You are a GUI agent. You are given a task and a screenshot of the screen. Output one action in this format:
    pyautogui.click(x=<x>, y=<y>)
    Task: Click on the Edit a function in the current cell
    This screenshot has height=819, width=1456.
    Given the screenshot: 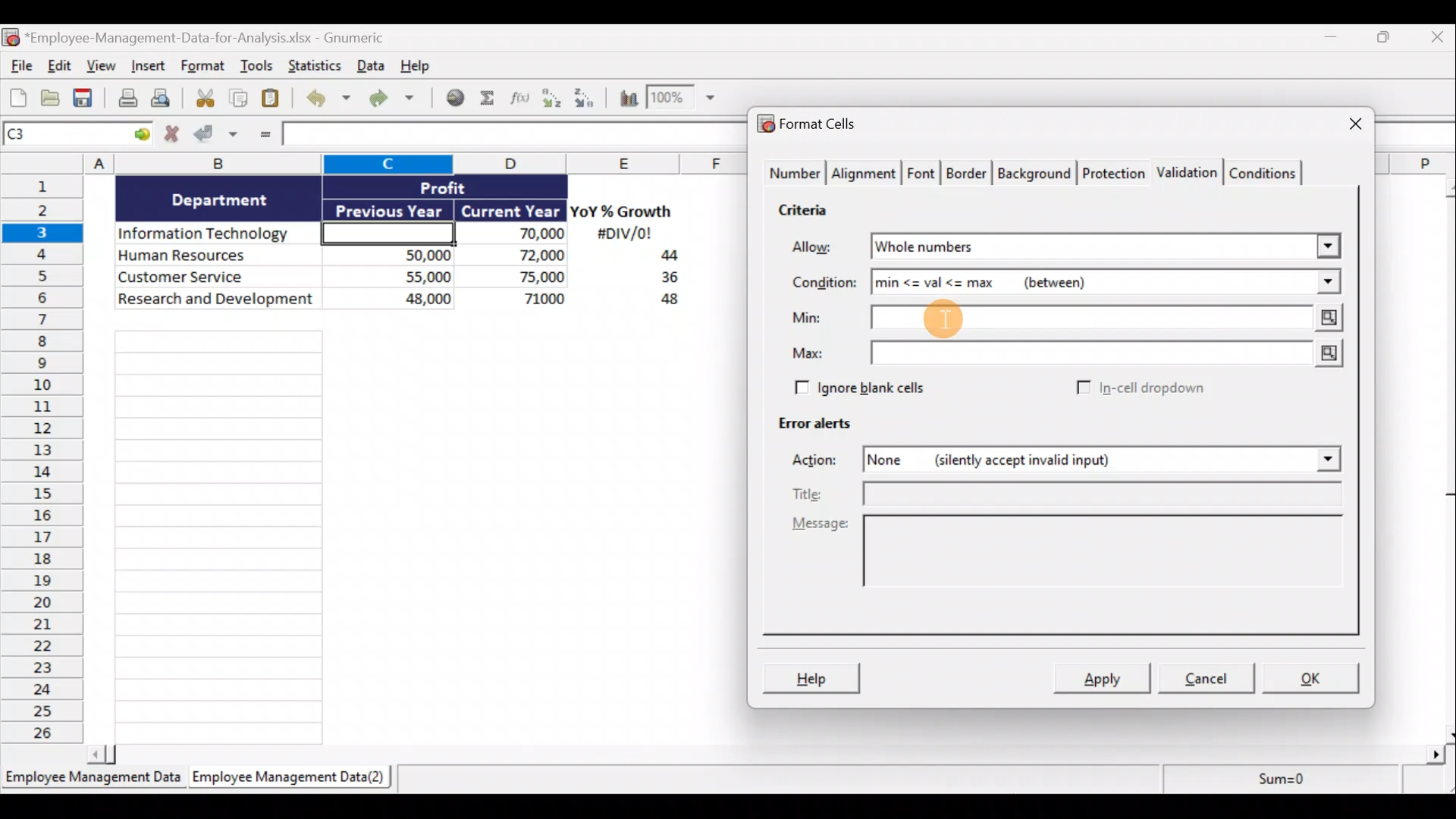 What is the action you would take?
    pyautogui.click(x=521, y=97)
    